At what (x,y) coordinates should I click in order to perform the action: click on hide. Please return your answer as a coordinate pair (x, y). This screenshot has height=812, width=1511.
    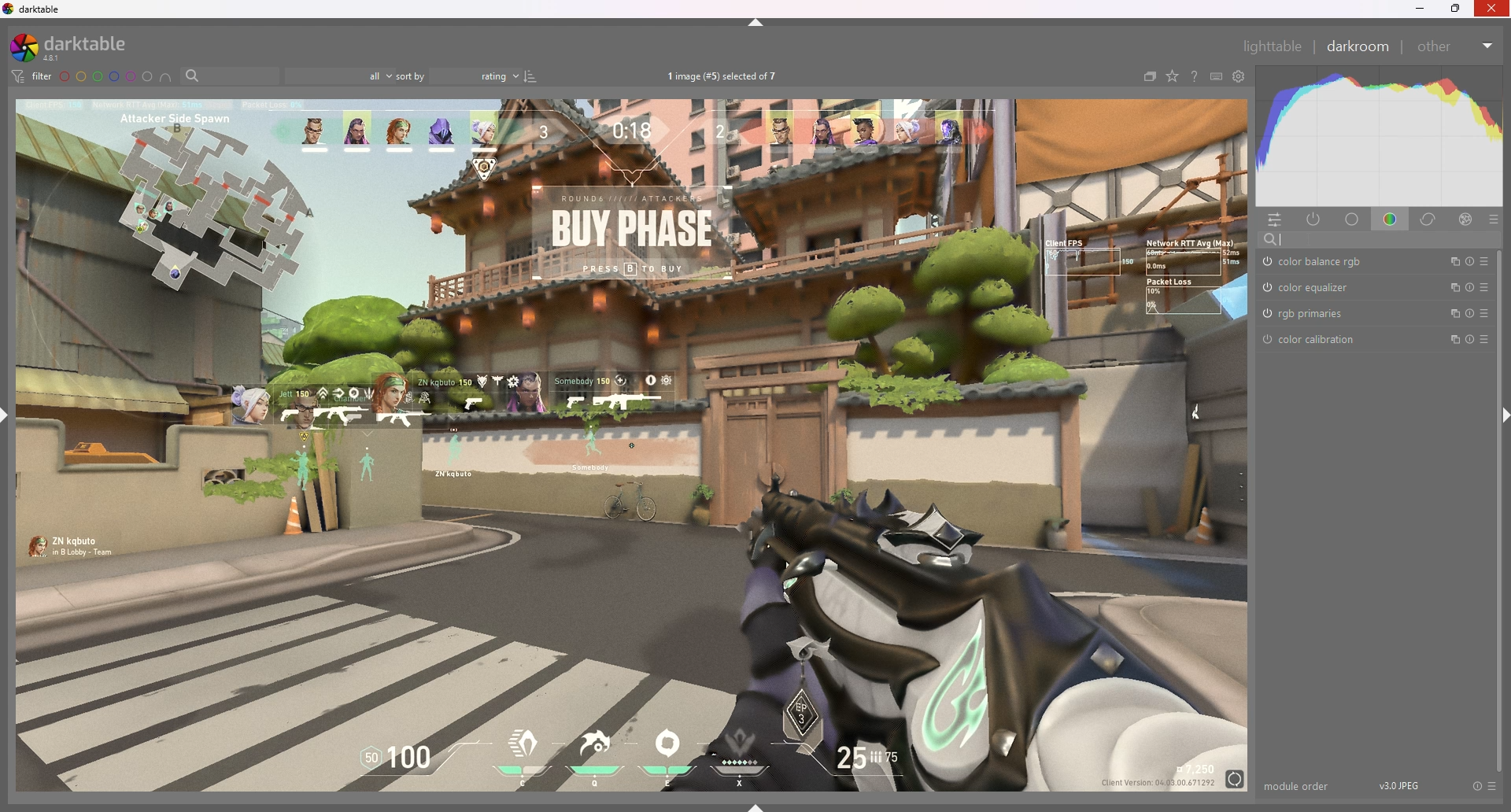
    Looking at the image, I should click on (756, 23).